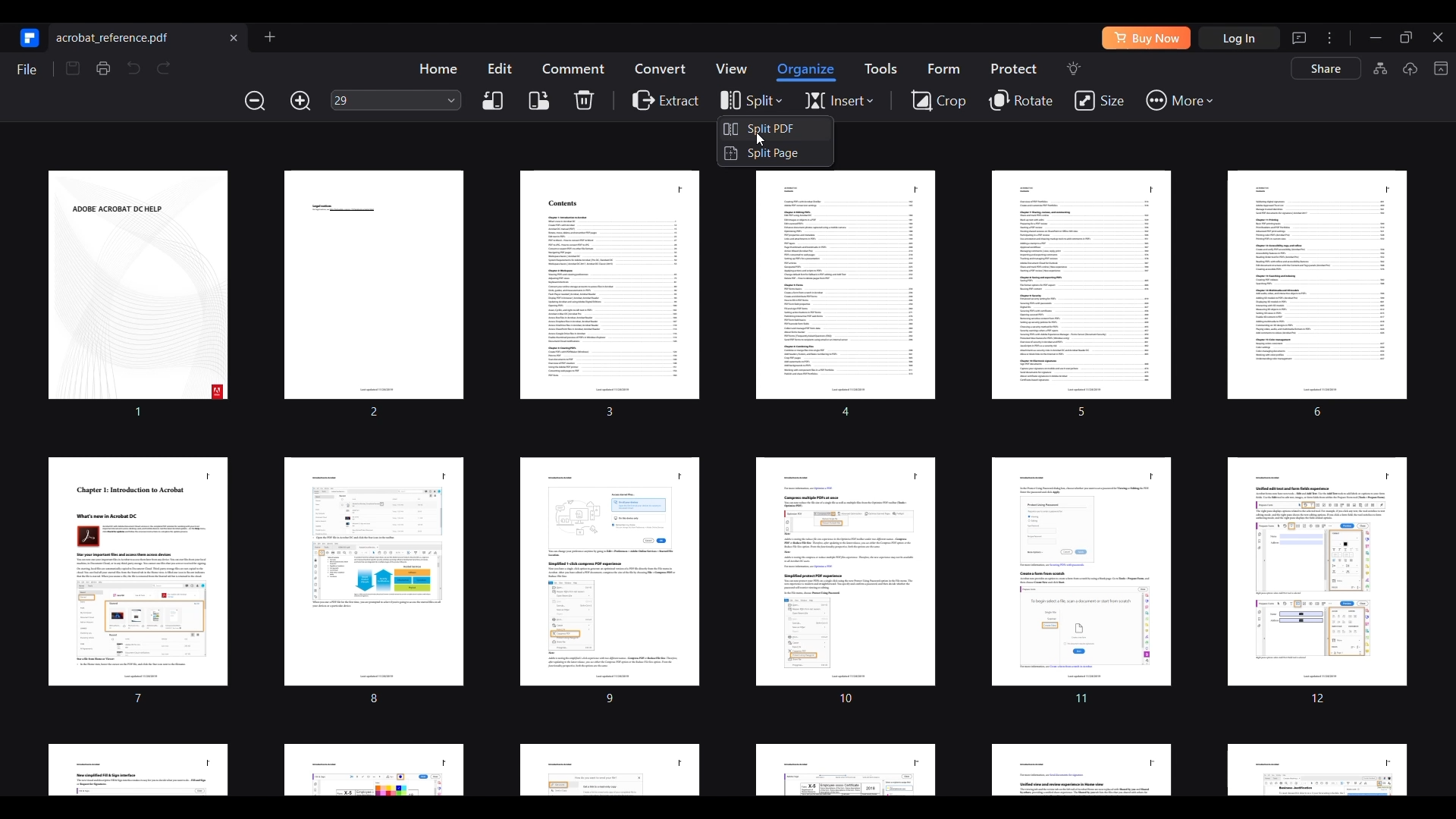 This screenshot has height=819, width=1456. I want to click on Message center, so click(1299, 38).